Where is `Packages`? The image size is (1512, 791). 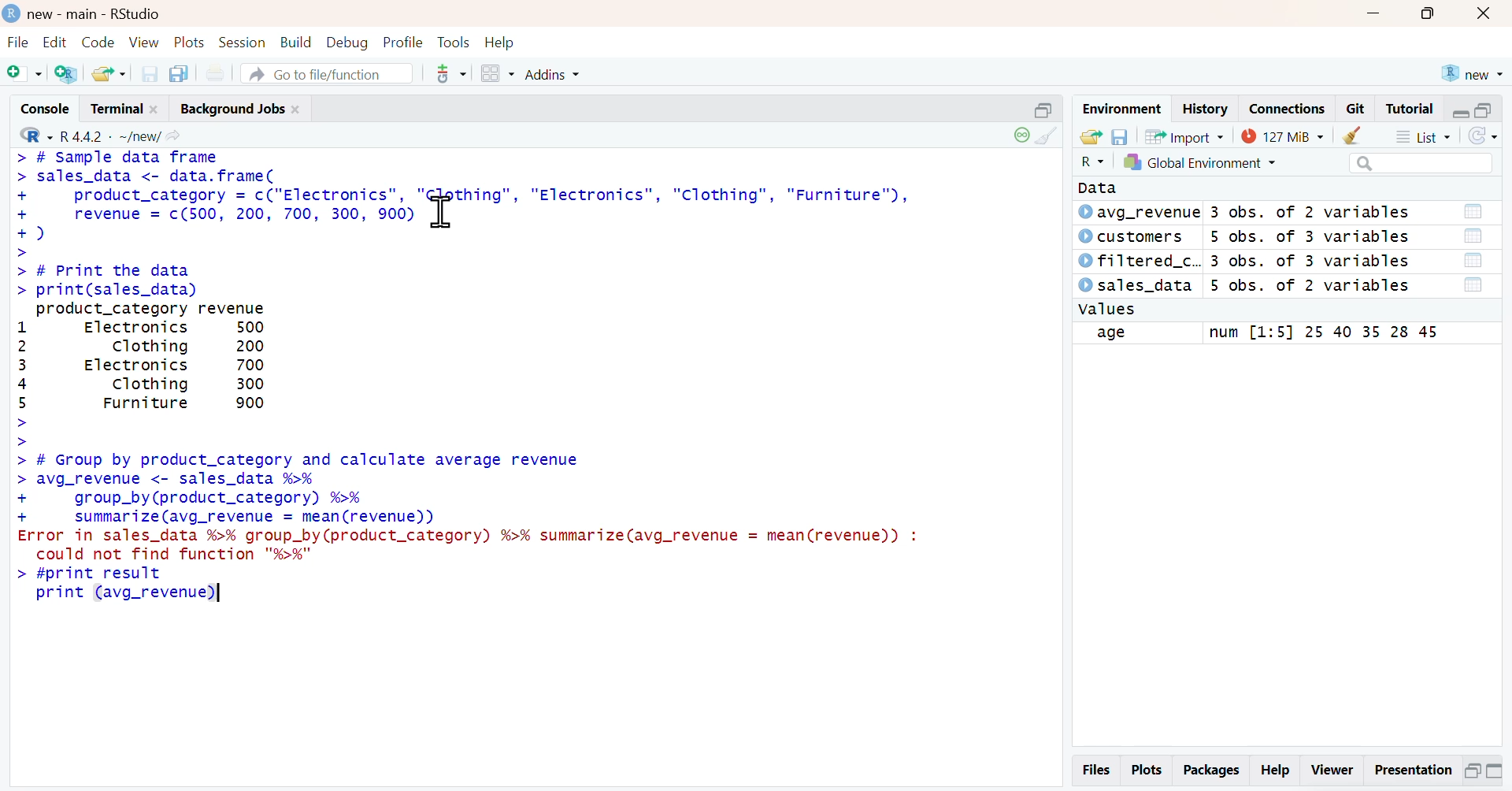
Packages is located at coordinates (1210, 771).